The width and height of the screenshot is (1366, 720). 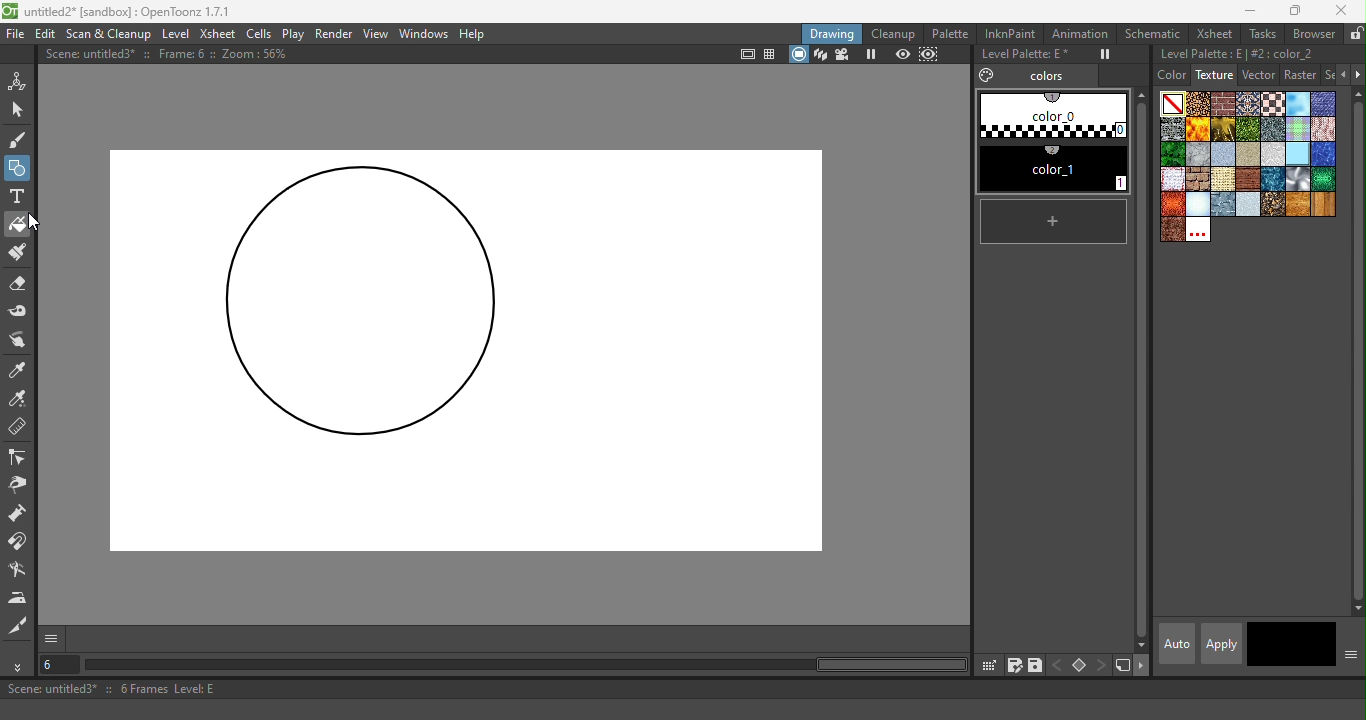 What do you see at coordinates (424, 33) in the screenshot?
I see `Windows` at bounding box center [424, 33].